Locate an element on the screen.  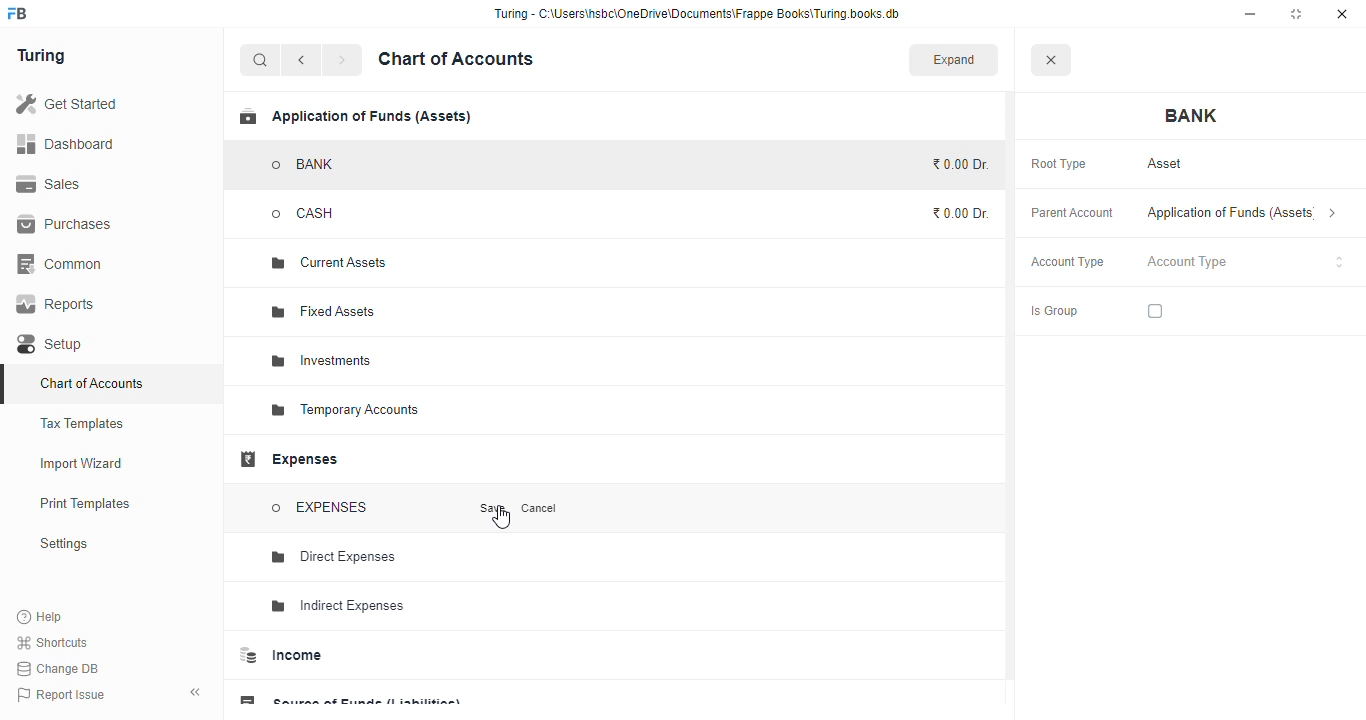
back is located at coordinates (301, 60).